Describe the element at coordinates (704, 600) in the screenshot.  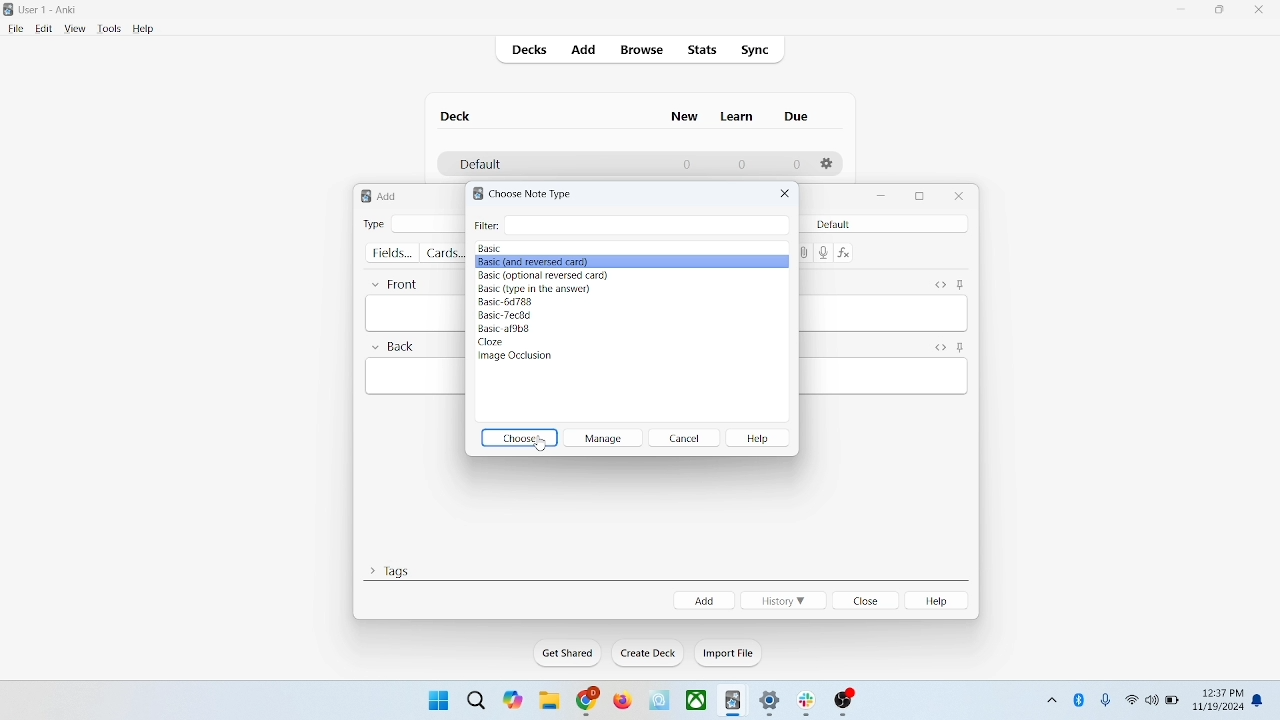
I see `add` at that location.